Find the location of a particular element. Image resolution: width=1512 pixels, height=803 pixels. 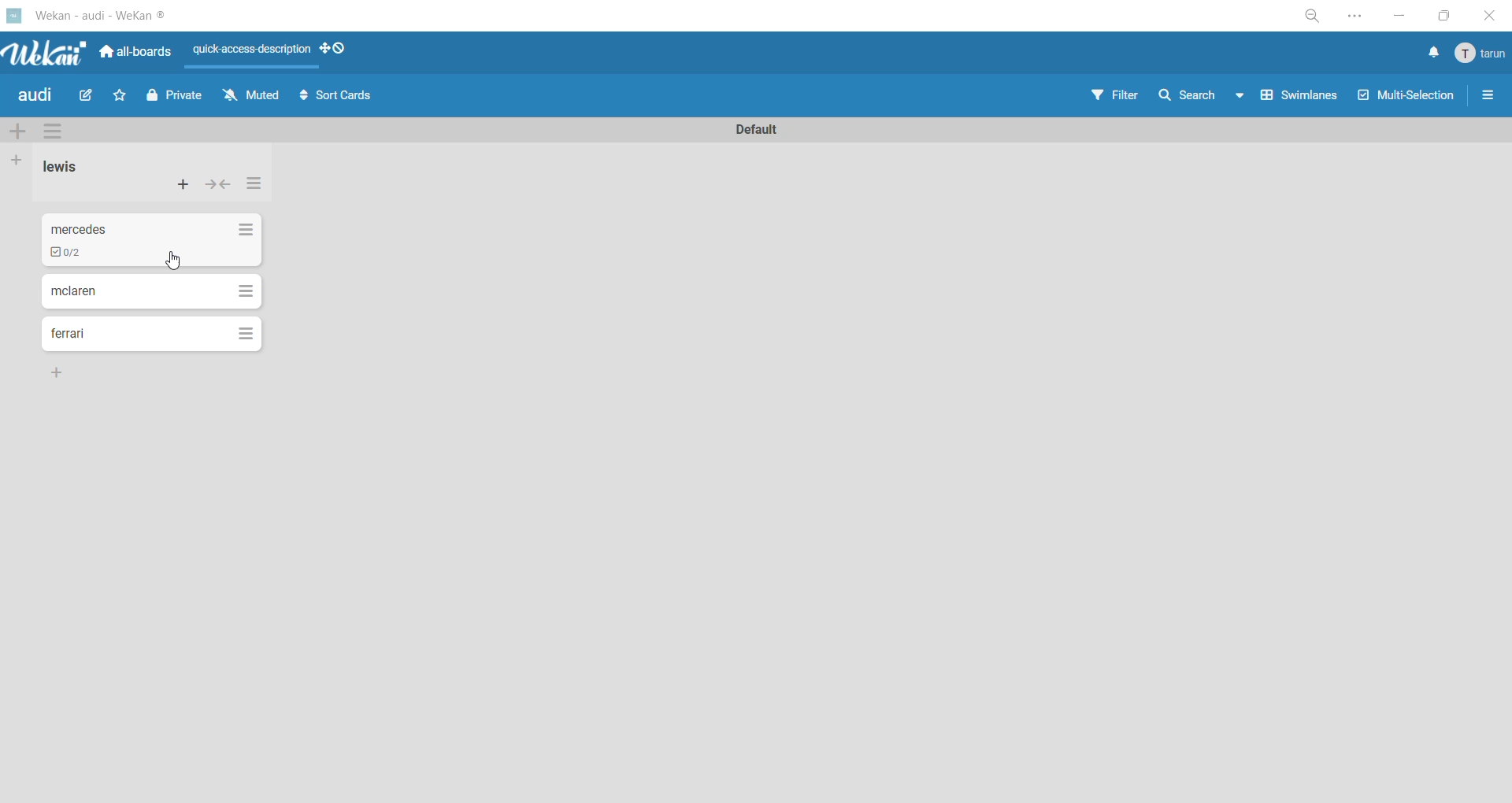

app title is located at coordinates (88, 15).